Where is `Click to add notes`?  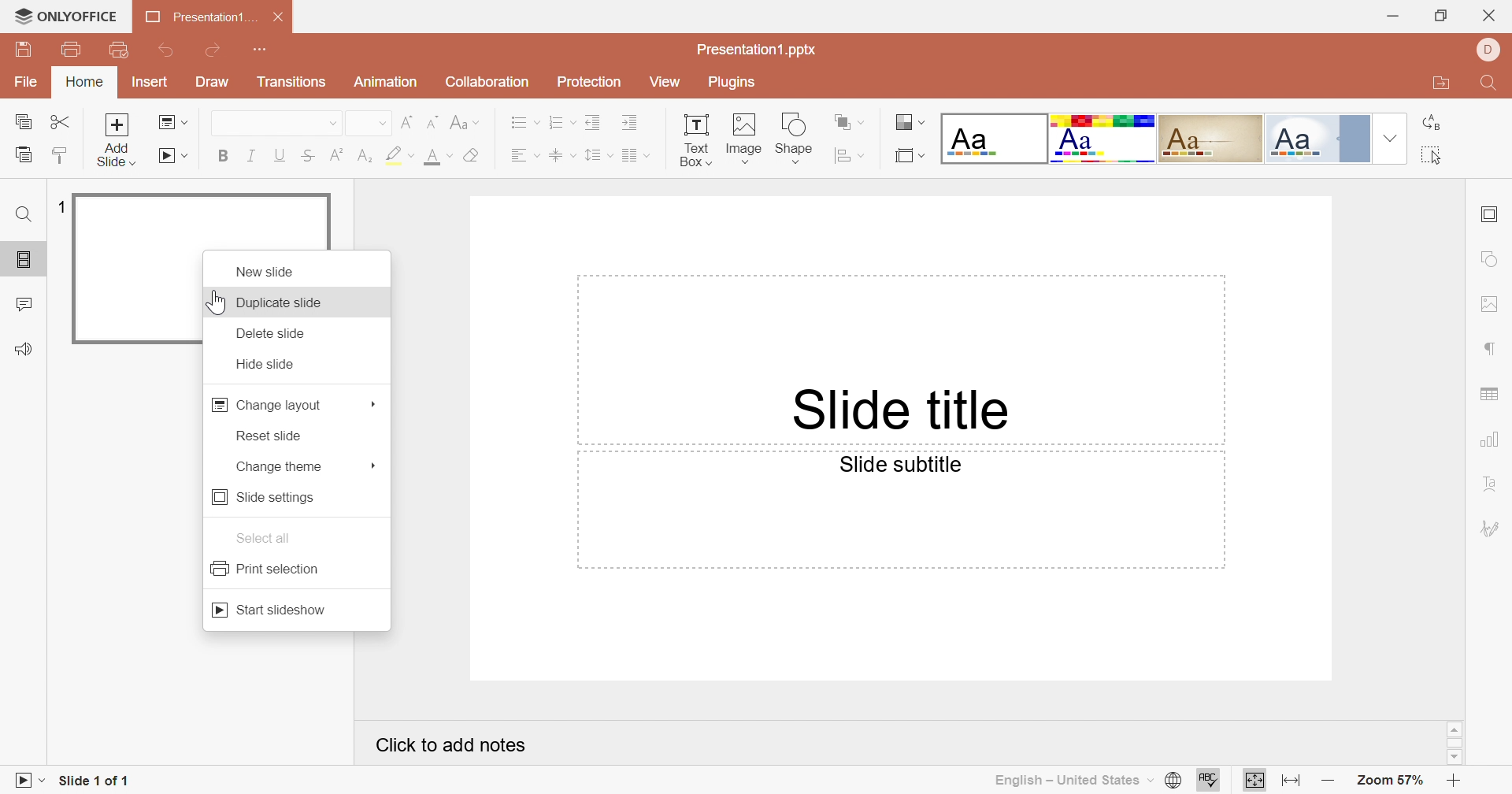
Click to add notes is located at coordinates (452, 744).